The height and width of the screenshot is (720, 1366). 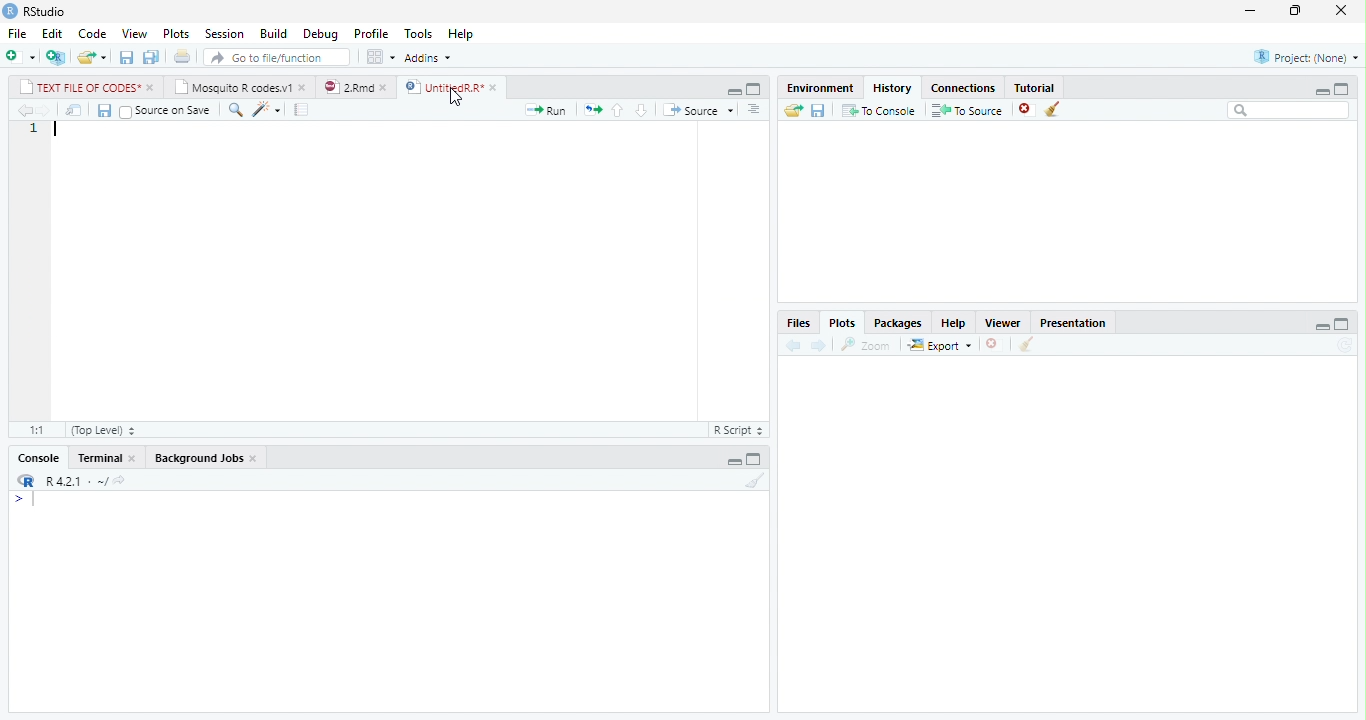 What do you see at coordinates (135, 33) in the screenshot?
I see `View` at bounding box center [135, 33].